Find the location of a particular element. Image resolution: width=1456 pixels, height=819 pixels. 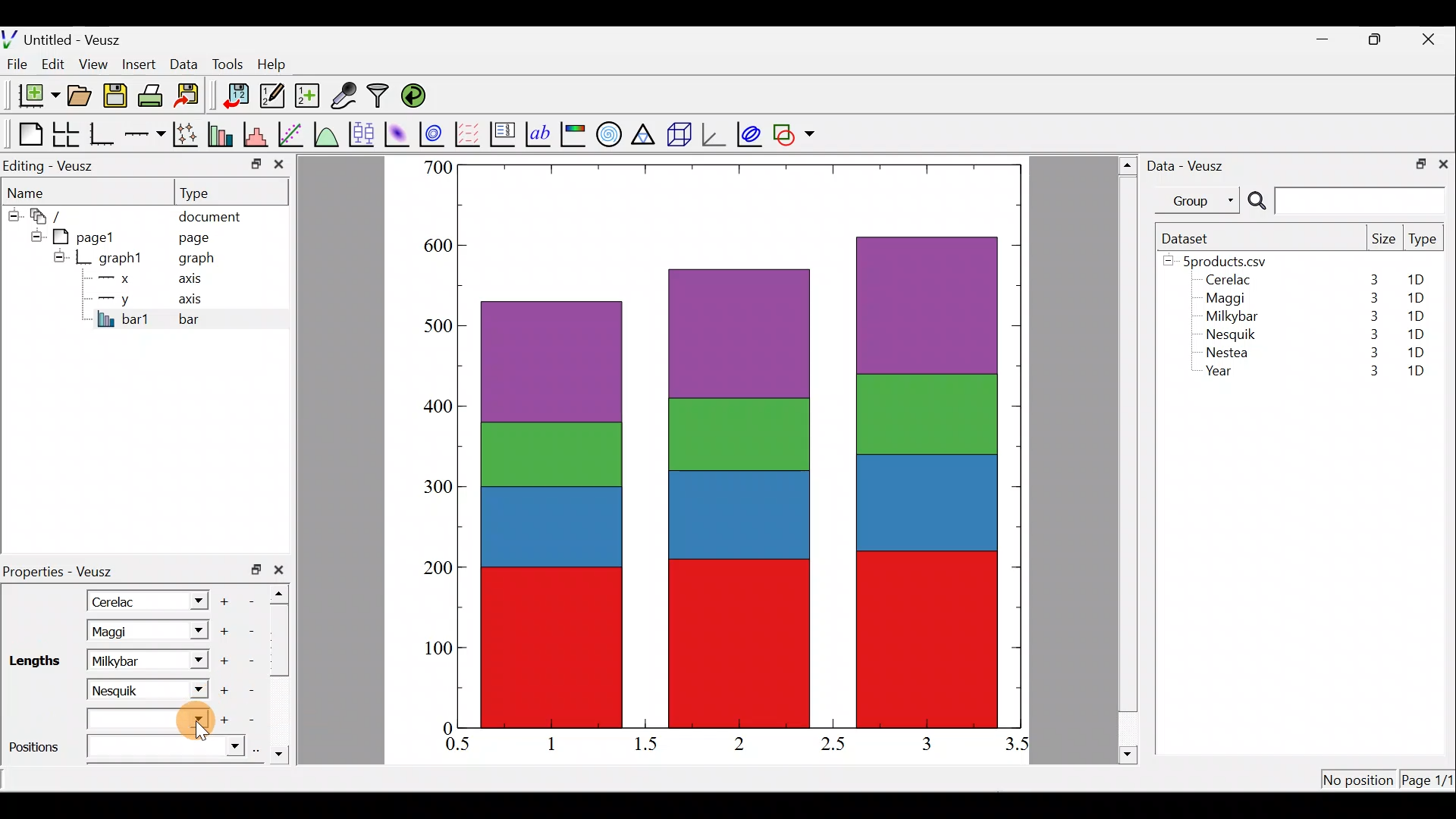

3 is located at coordinates (1370, 355).